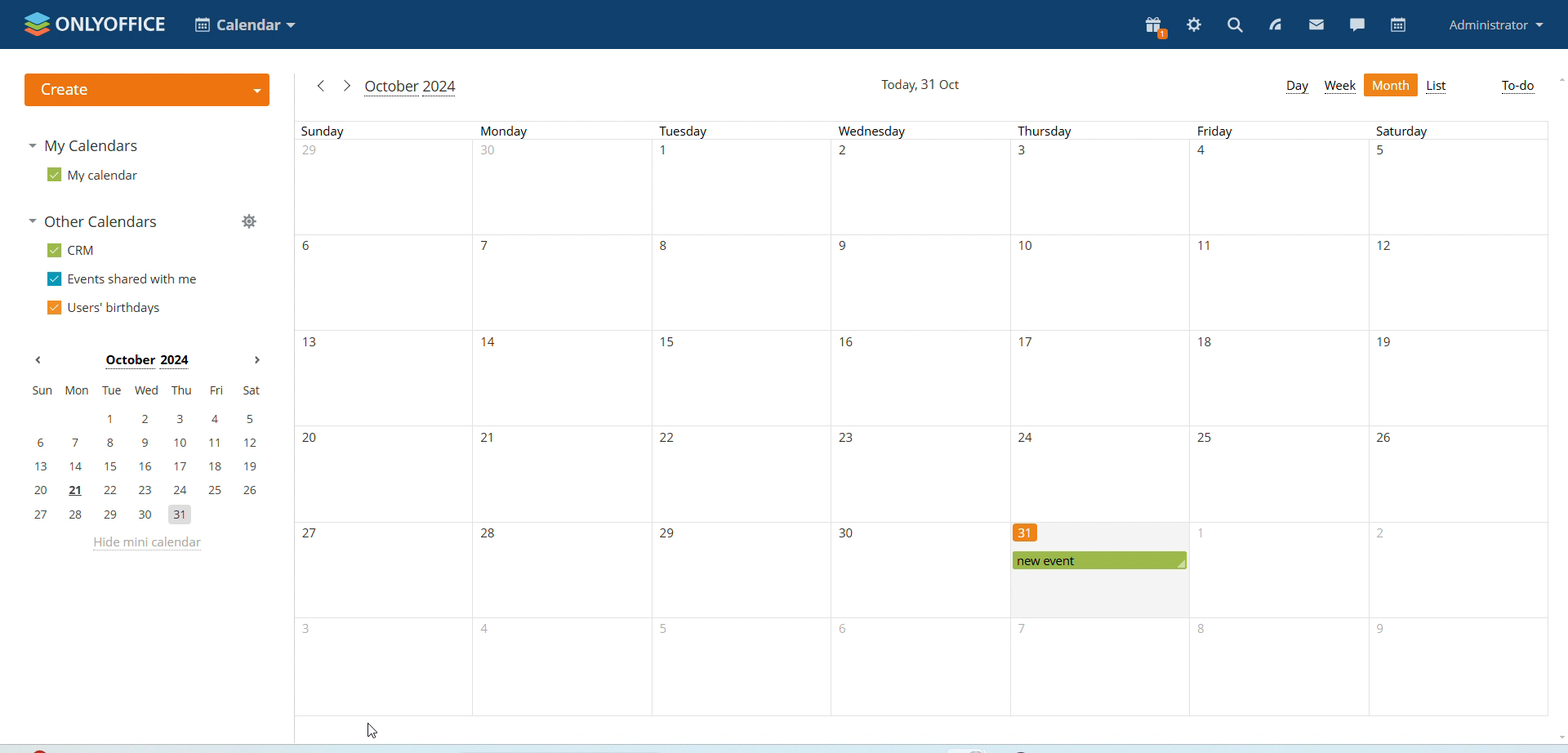 This screenshot has height=753, width=1568. What do you see at coordinates (149, 455) in the screenshot?
I see `mini calendar` at bounding box center [149, 455].